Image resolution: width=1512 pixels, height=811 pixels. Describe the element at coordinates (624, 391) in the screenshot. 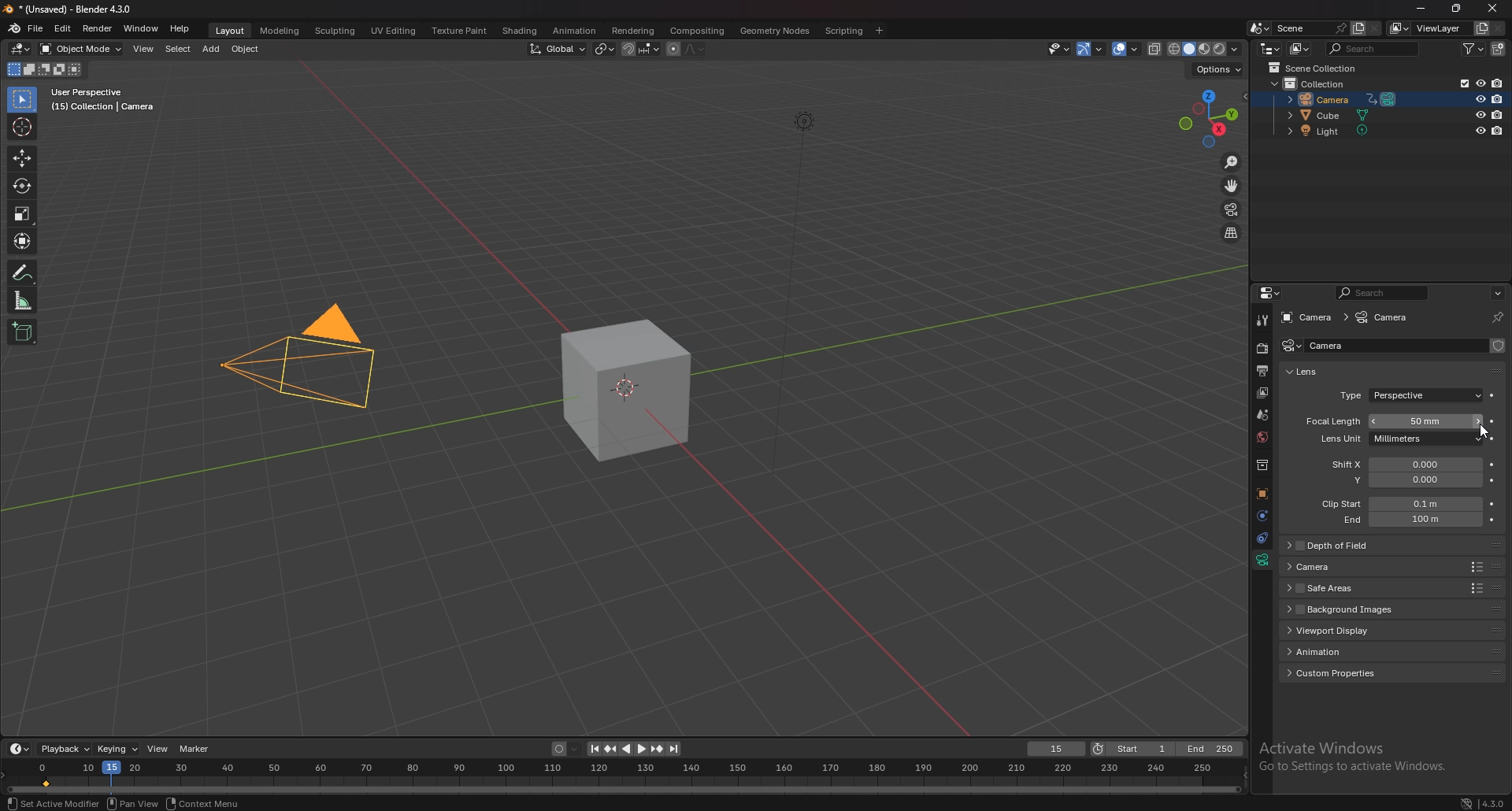

I see `cube` at that location.